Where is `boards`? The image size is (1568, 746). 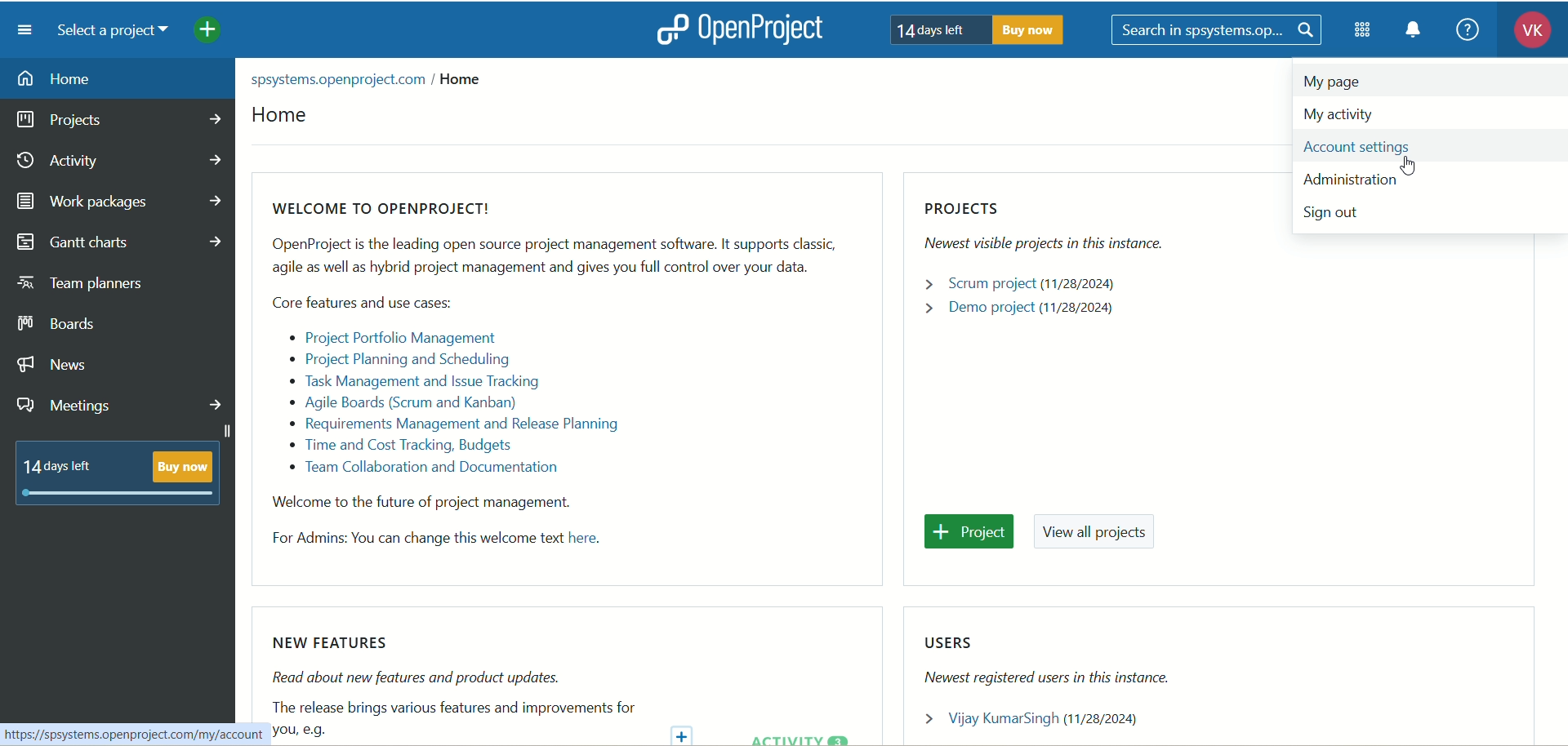 boards is located at coordinates (60, 323).